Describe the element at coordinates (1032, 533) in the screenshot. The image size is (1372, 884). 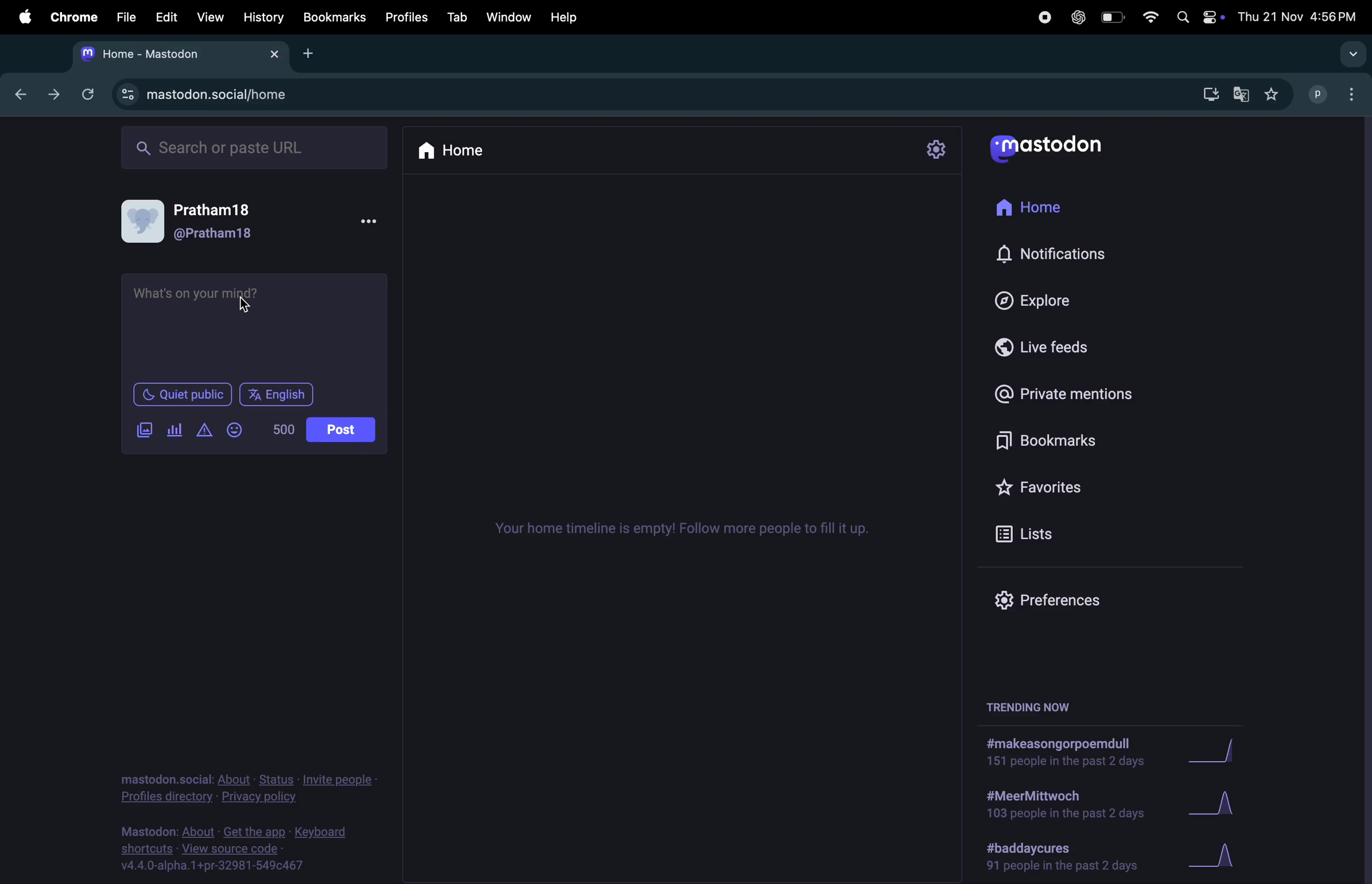
I see `lists` at that location.